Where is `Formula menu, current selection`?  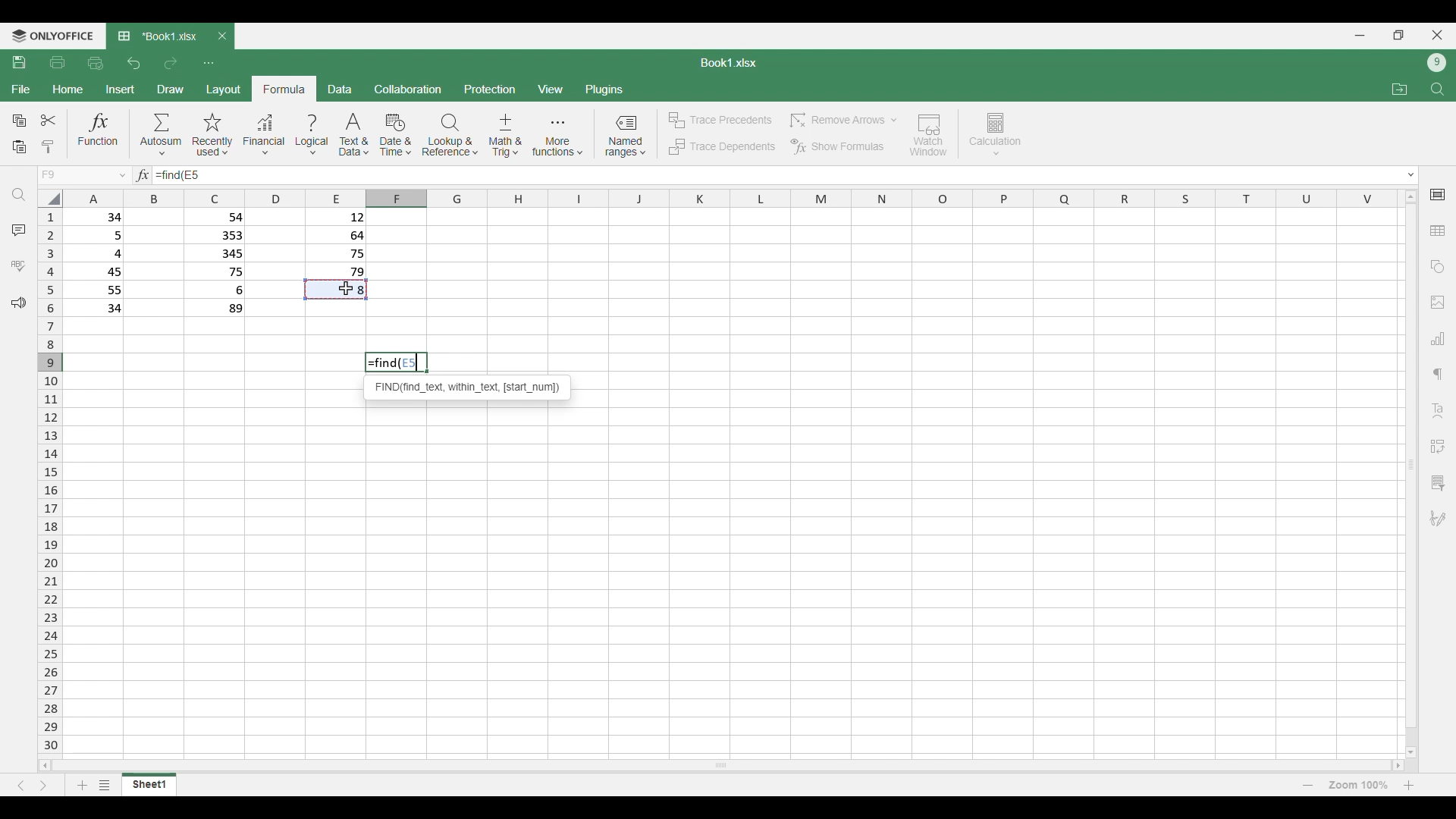
Formula menu, current selection is located at coordinates (285, 89).